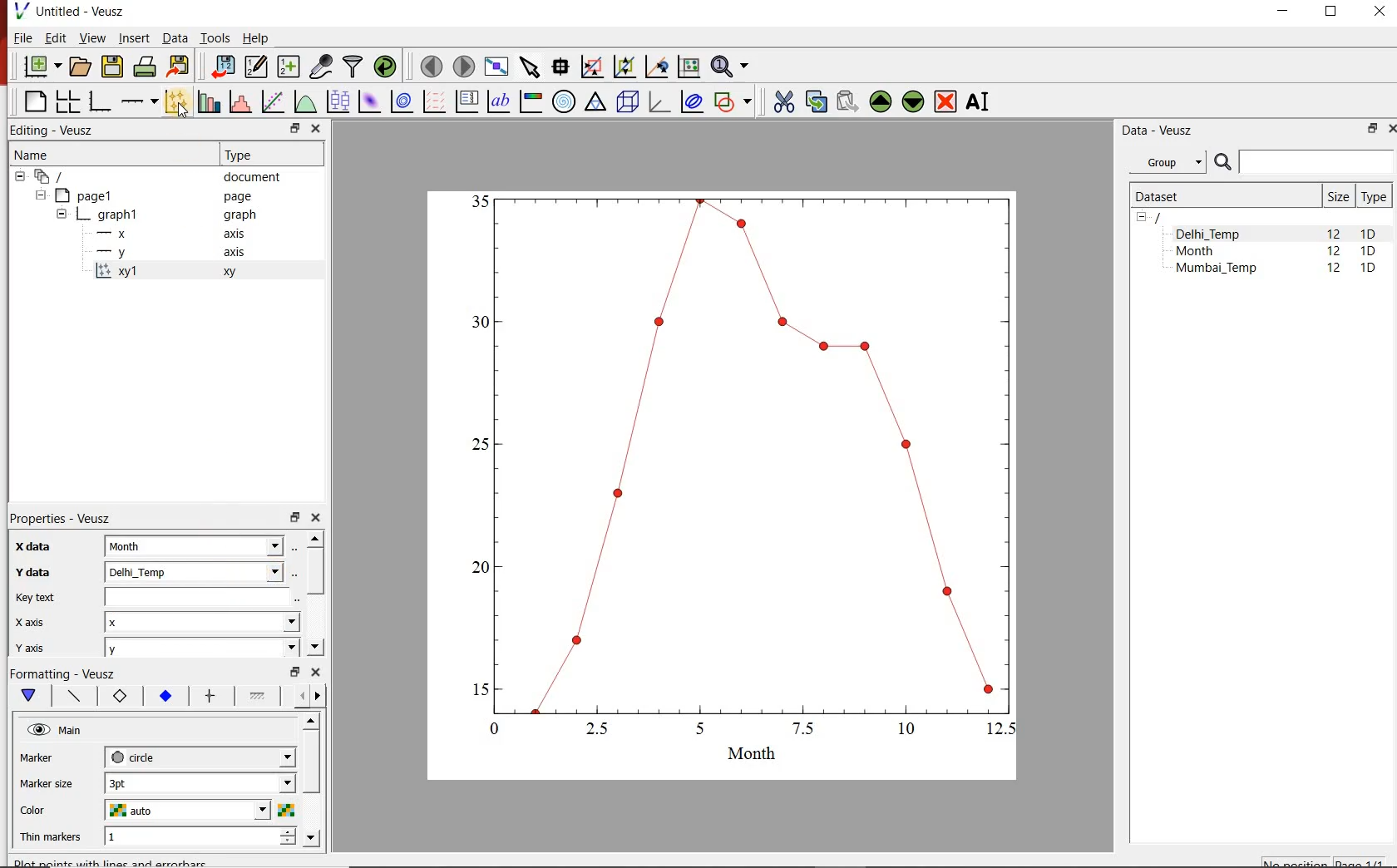 The width and height of the screenshot is (1397, 868). Describe the element at coordinates (880, 101) in the screenshot. I see `move the selected widget up` at that location.